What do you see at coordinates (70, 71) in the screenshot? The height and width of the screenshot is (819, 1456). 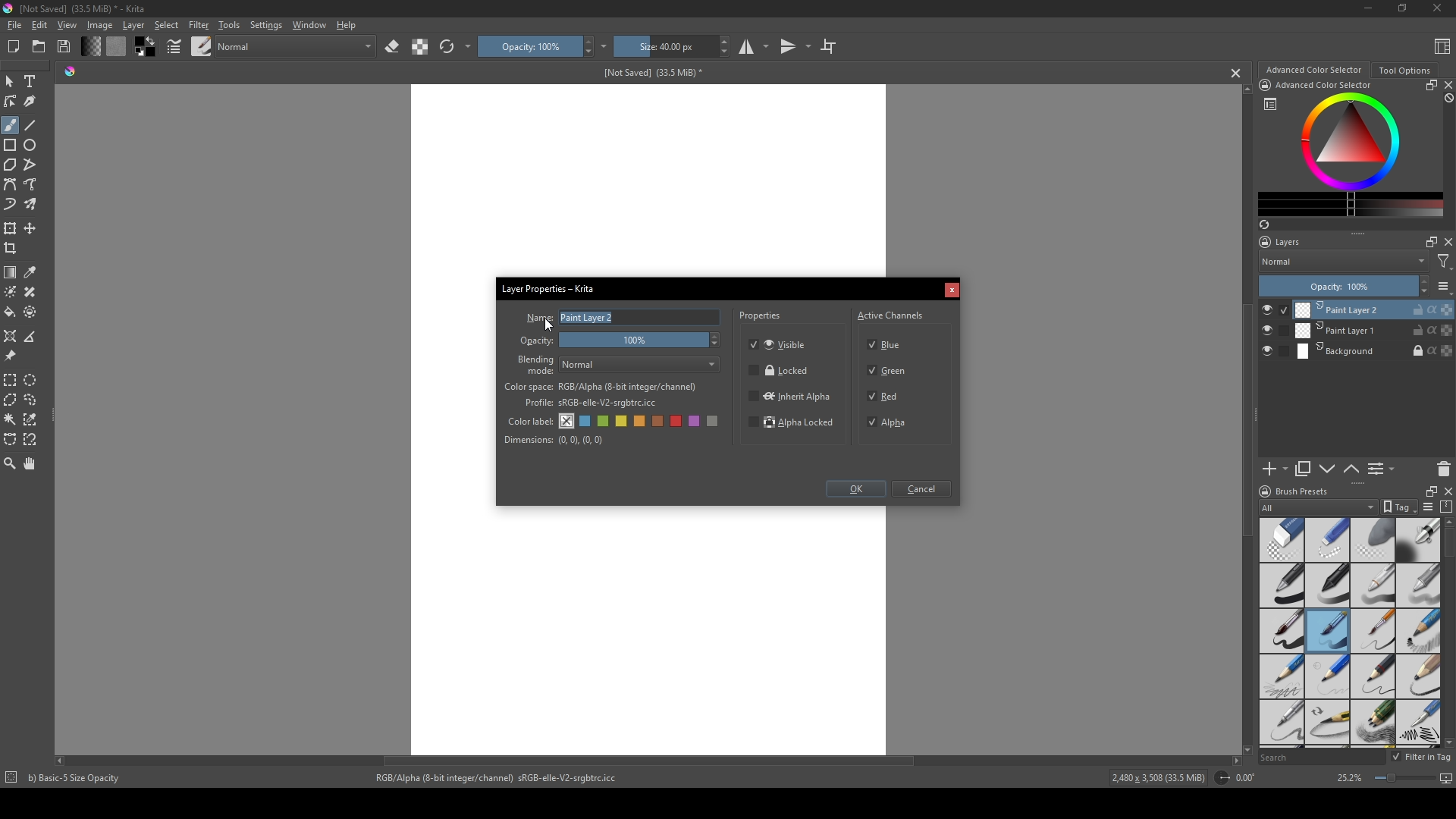 I see `shade` at bounding box center [70, 71].